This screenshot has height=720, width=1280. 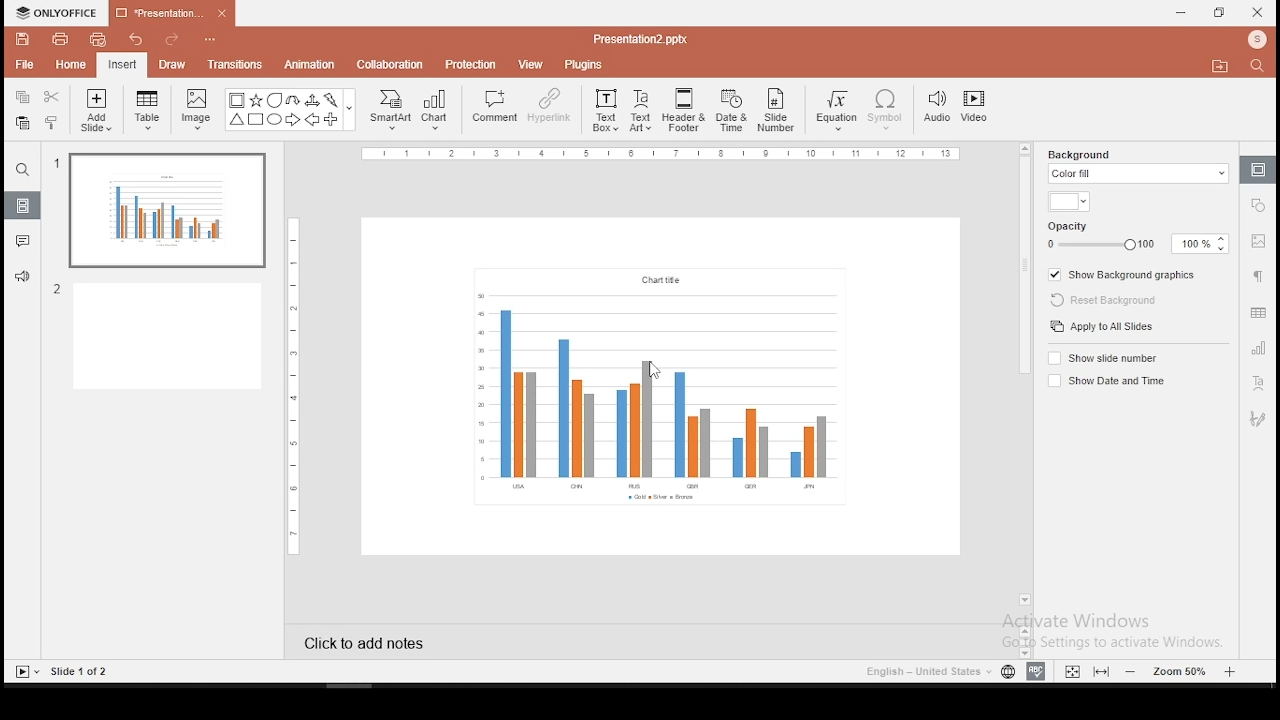 What do you see at coordinates (150, 112) in the screenshot?
I see `table` at bounding box center [150, 112].